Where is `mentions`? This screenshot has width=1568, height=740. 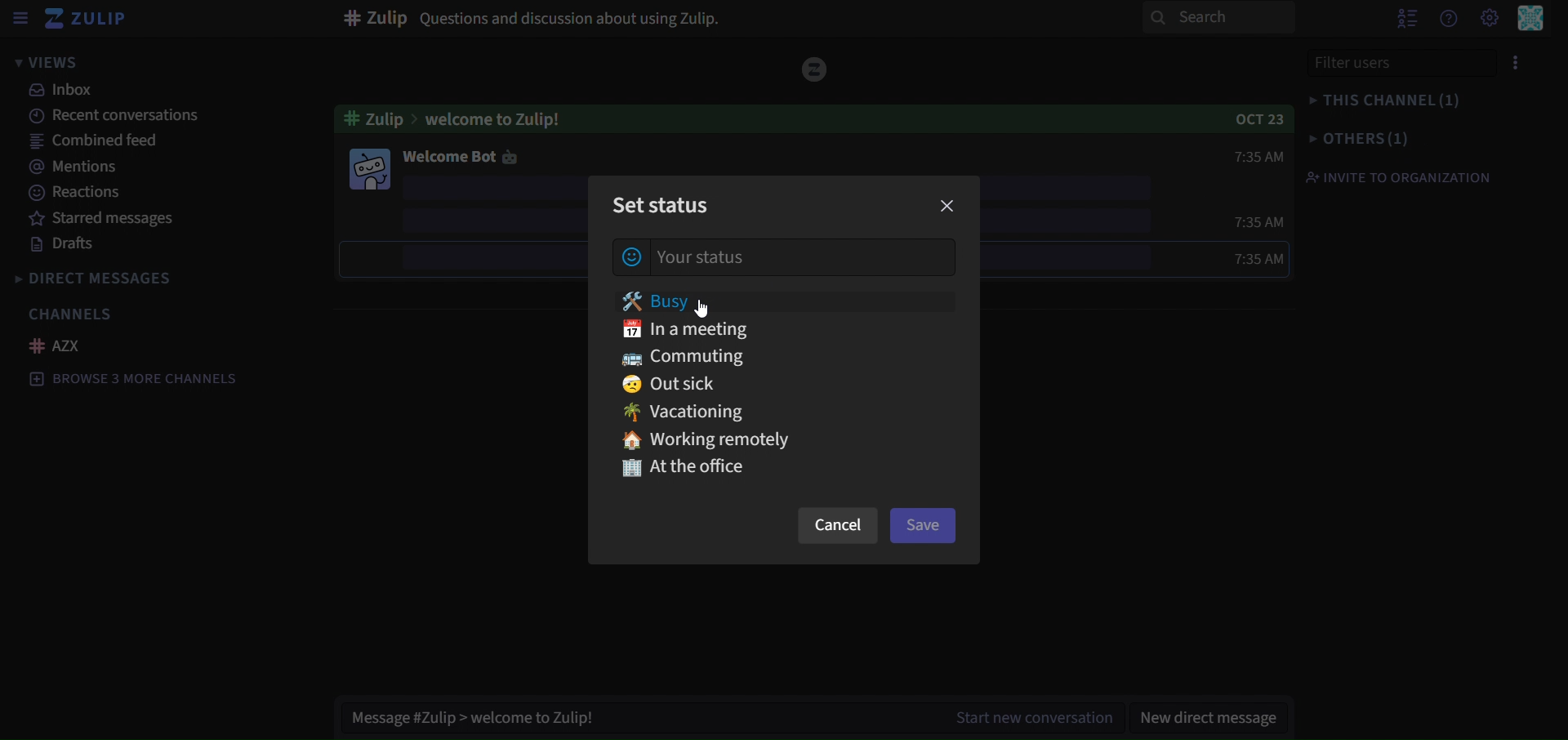
mentions is located at coordinates (75, 168).